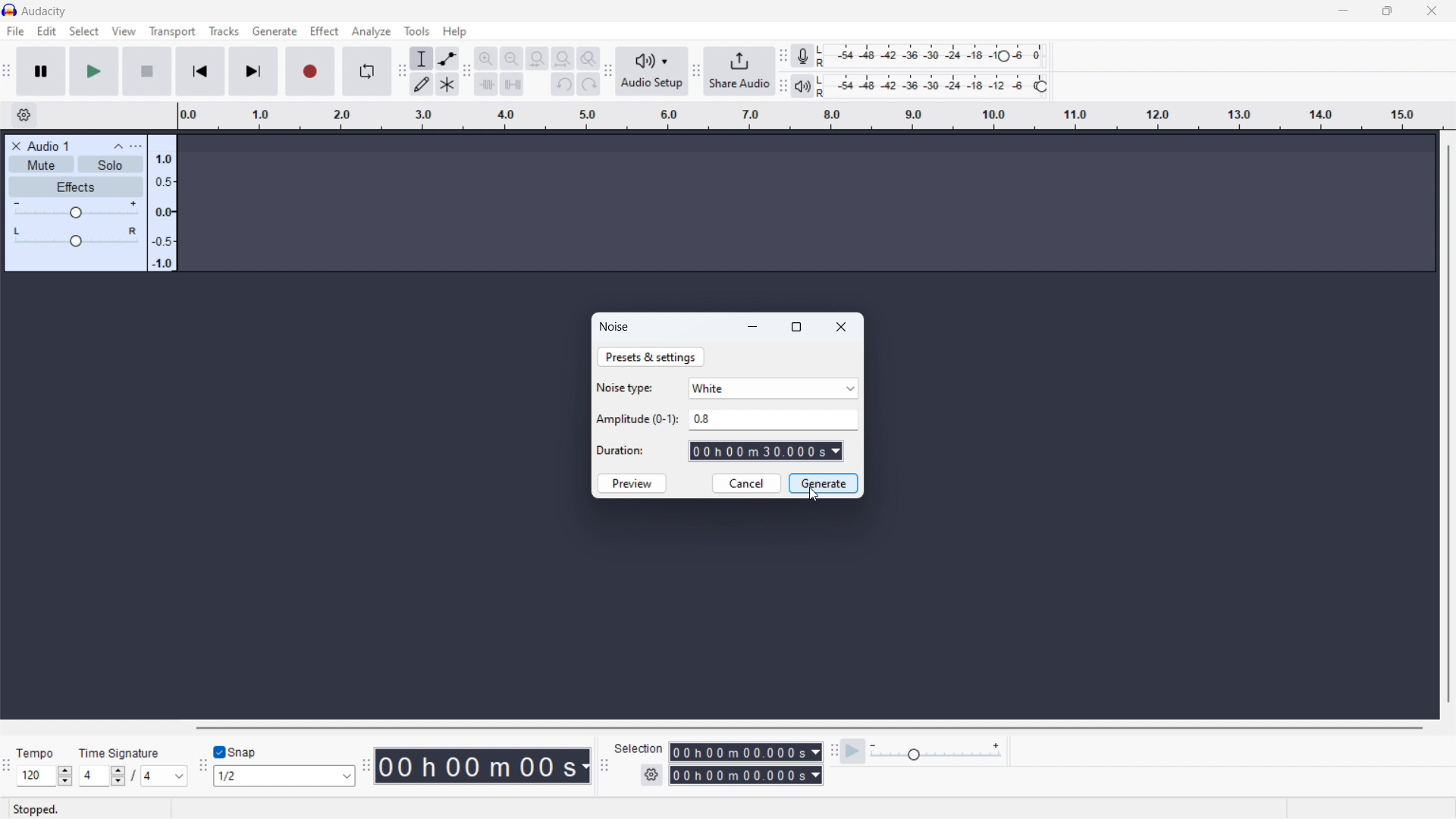 The height and width of the screenshot is (819, 1456). What do you see at coordinates (627, 388) in the screenshot?
I see `noise type` at bounding box center [627, 388].